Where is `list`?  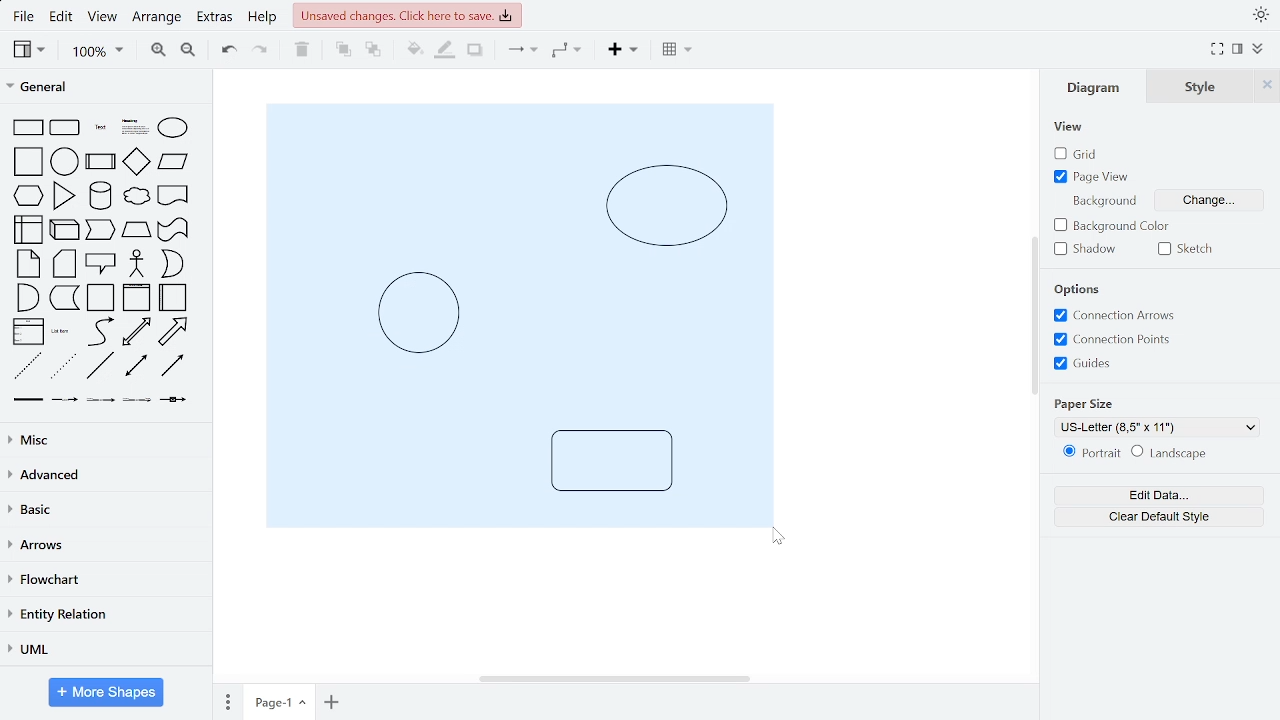 list is located at coordinates (29, 331).